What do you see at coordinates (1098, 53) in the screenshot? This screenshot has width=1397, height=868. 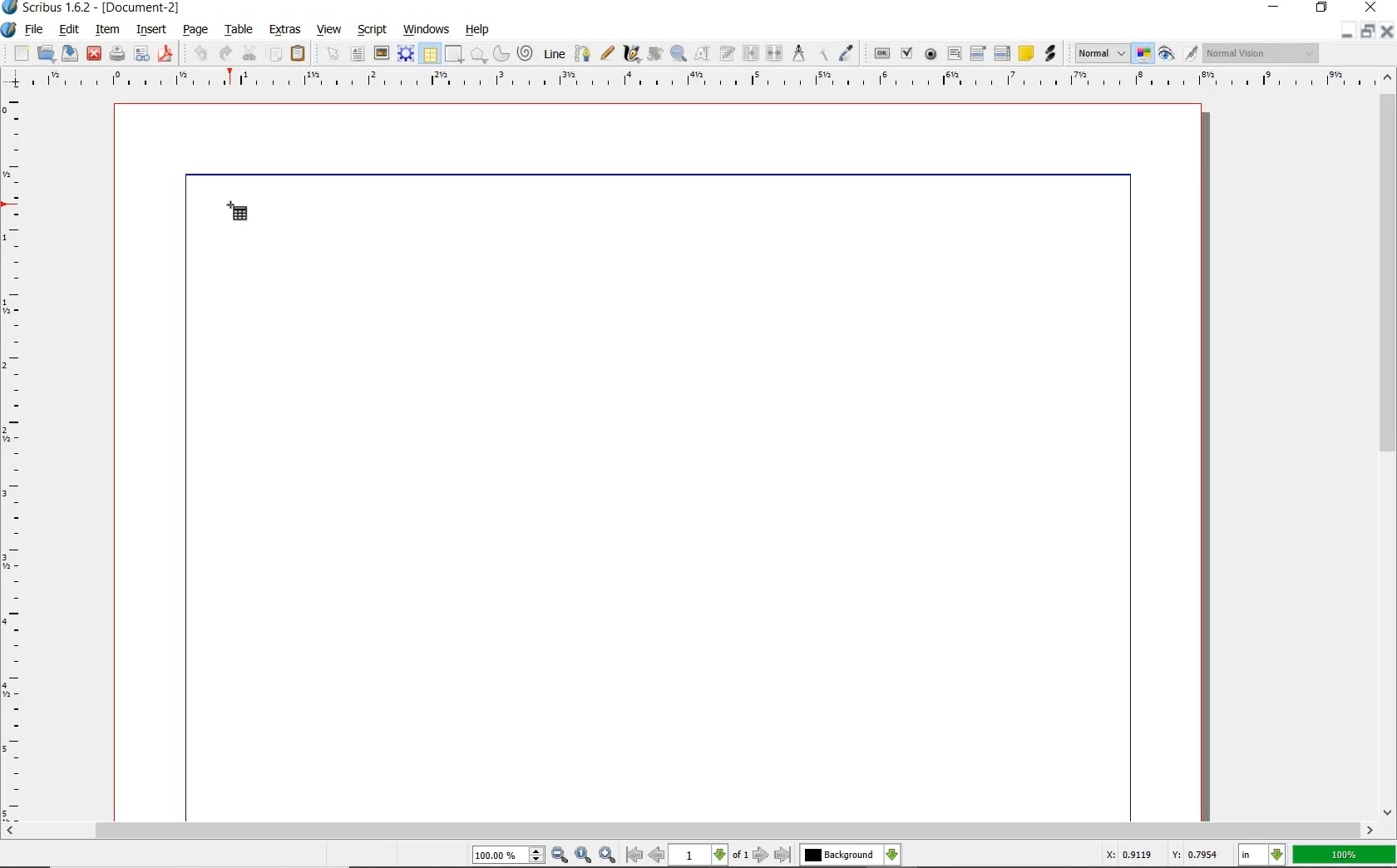 I see `select the image preview mode` at bounding box center [1098, 53].